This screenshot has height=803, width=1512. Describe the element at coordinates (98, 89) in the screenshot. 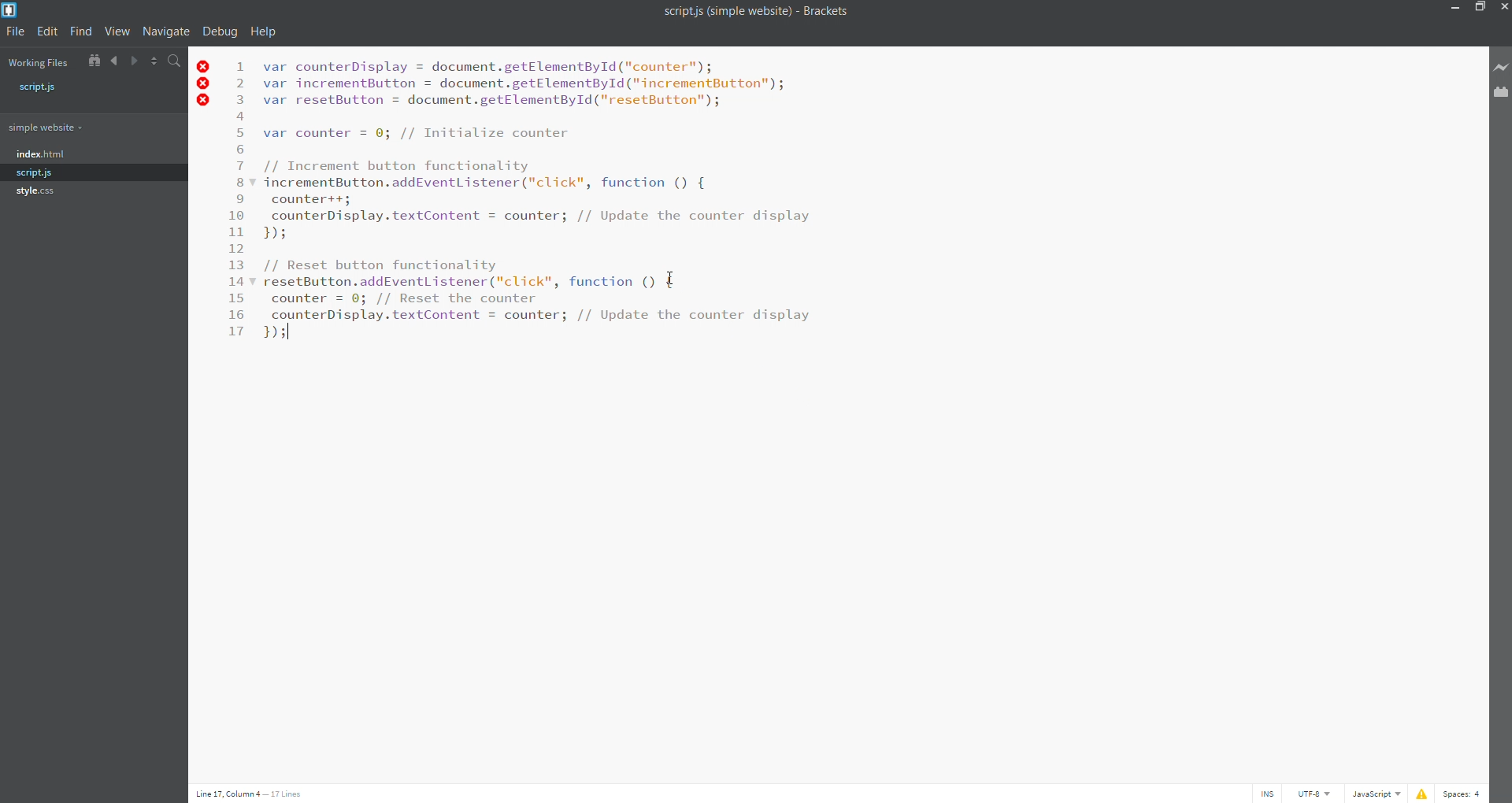

I see `script.js` at that location.